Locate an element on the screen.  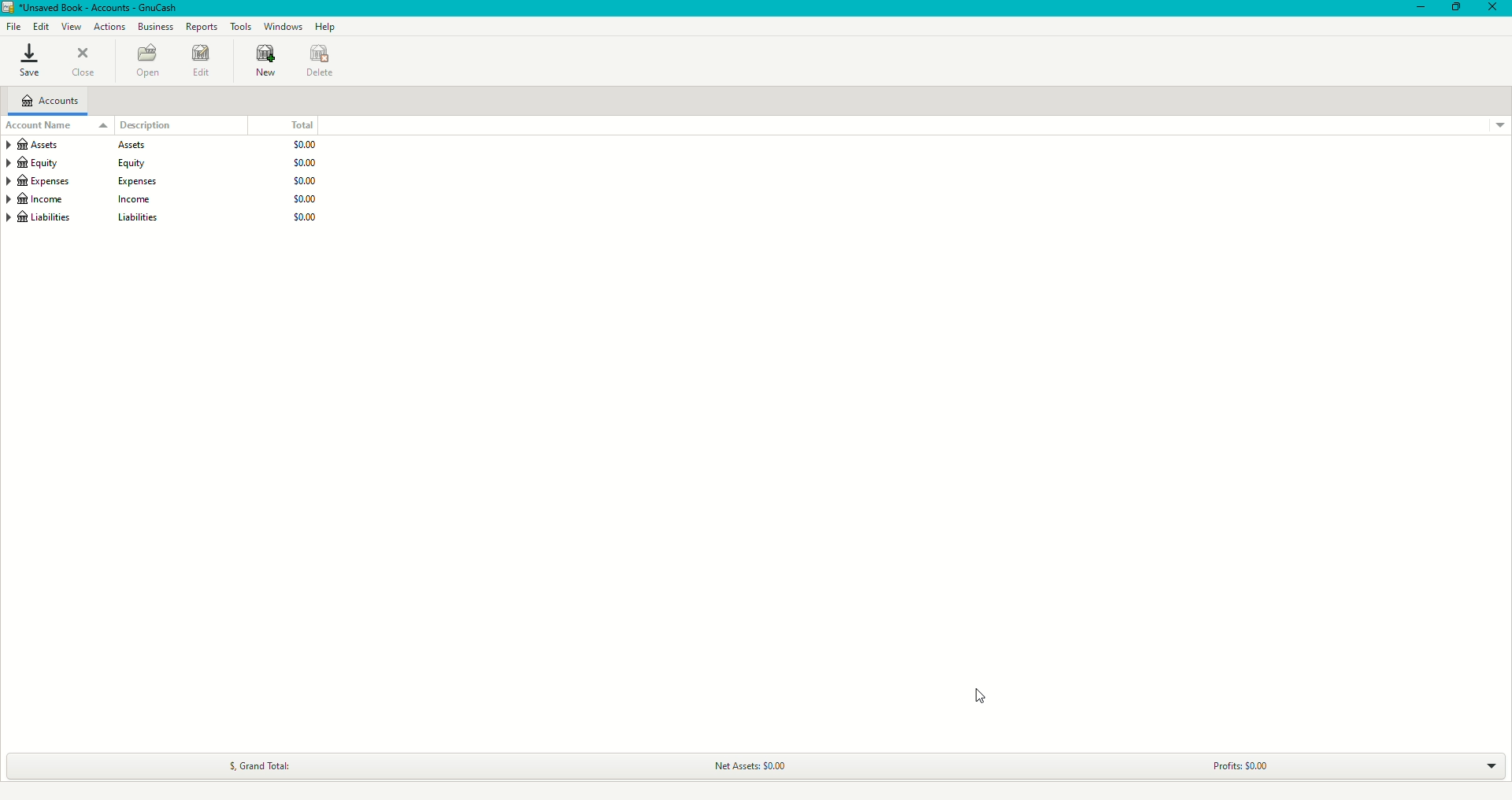
Close is located at coordinates (84, 61).